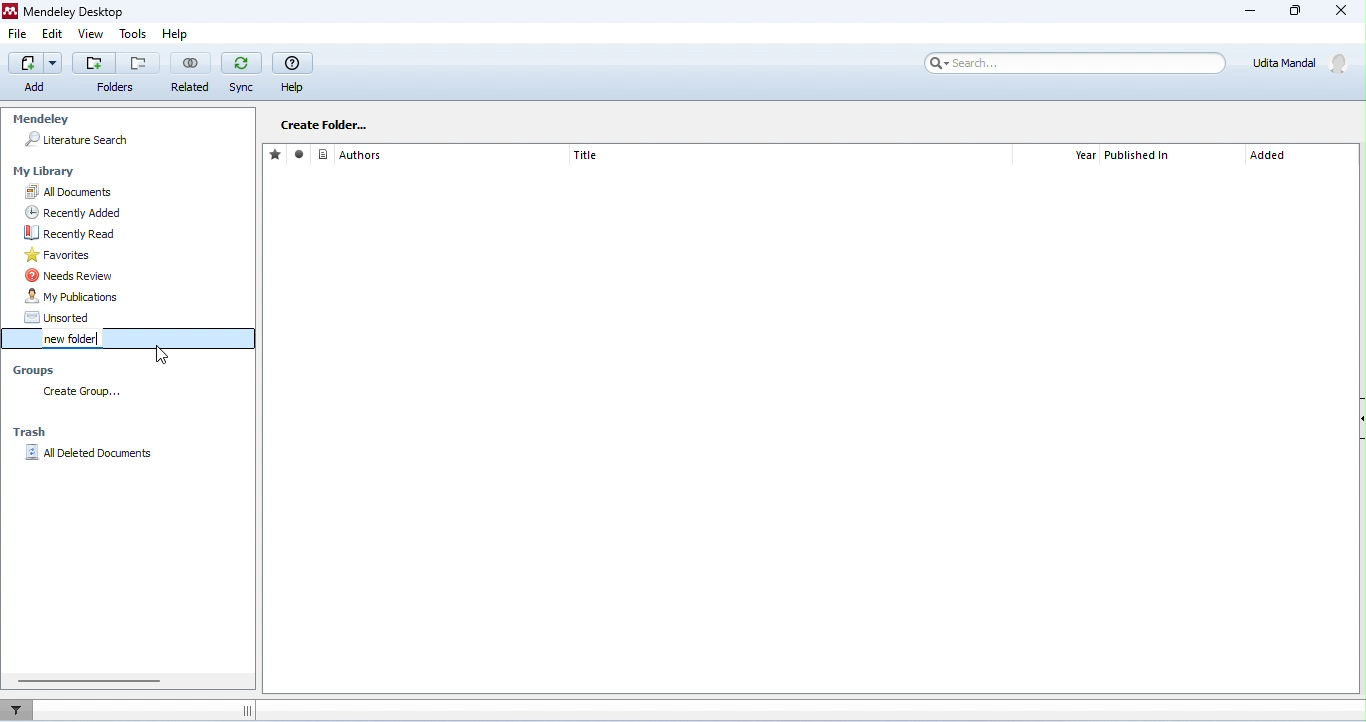  What do you see at coordinates (246, 711) in the screenshot?
I see `drag to expand` at bounding box center [246, 711].